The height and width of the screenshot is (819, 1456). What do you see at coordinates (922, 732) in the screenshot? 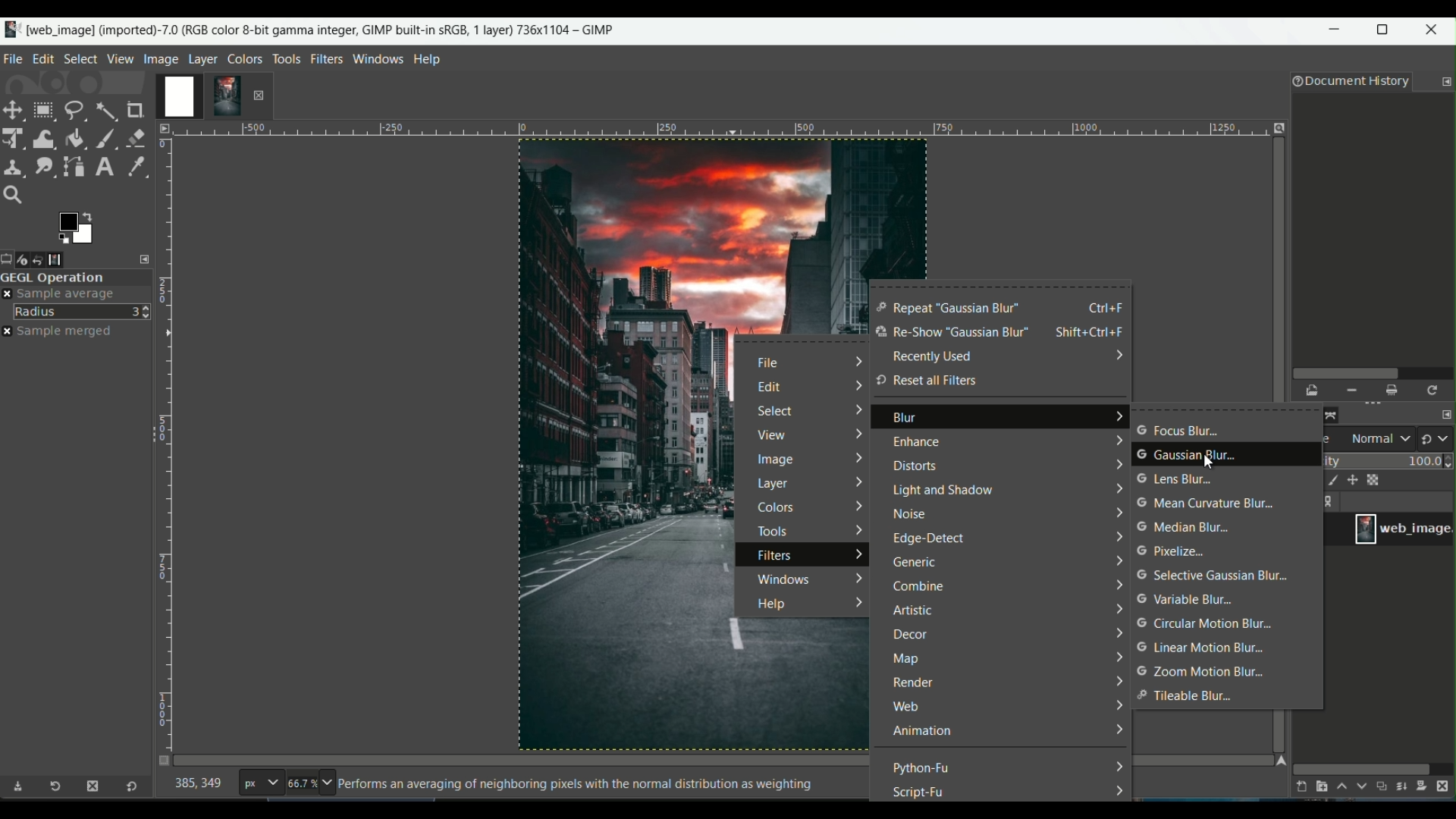
I see `animation` at bounding box center [922, 732].